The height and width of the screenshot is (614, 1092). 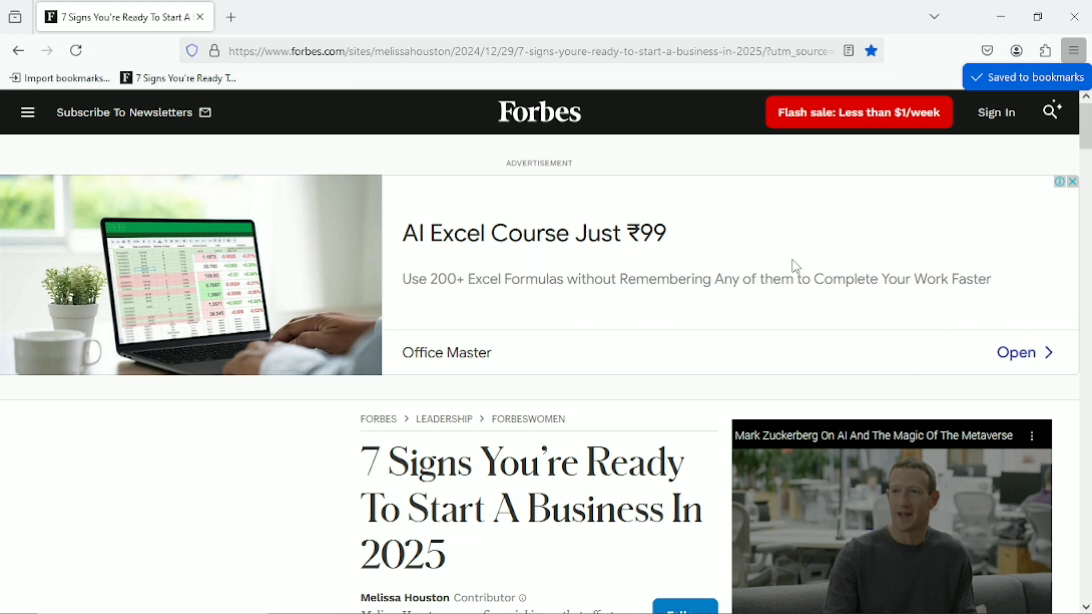 What do you see at coordinates (46, 50) in the screenshot?
I see `Go forward` at bounding box center [46, 50].